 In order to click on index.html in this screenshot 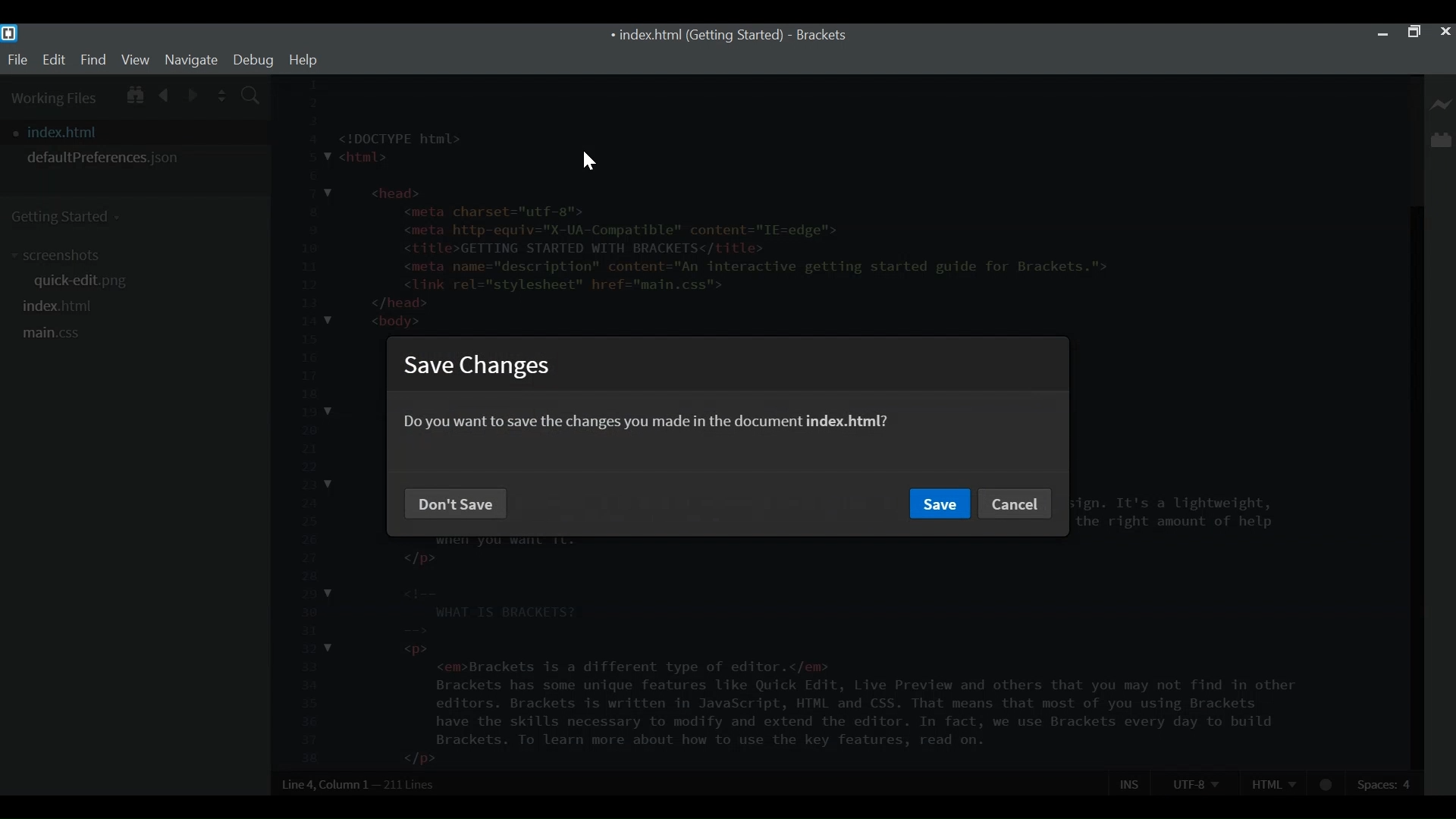, I will do `click(140, 132)`.